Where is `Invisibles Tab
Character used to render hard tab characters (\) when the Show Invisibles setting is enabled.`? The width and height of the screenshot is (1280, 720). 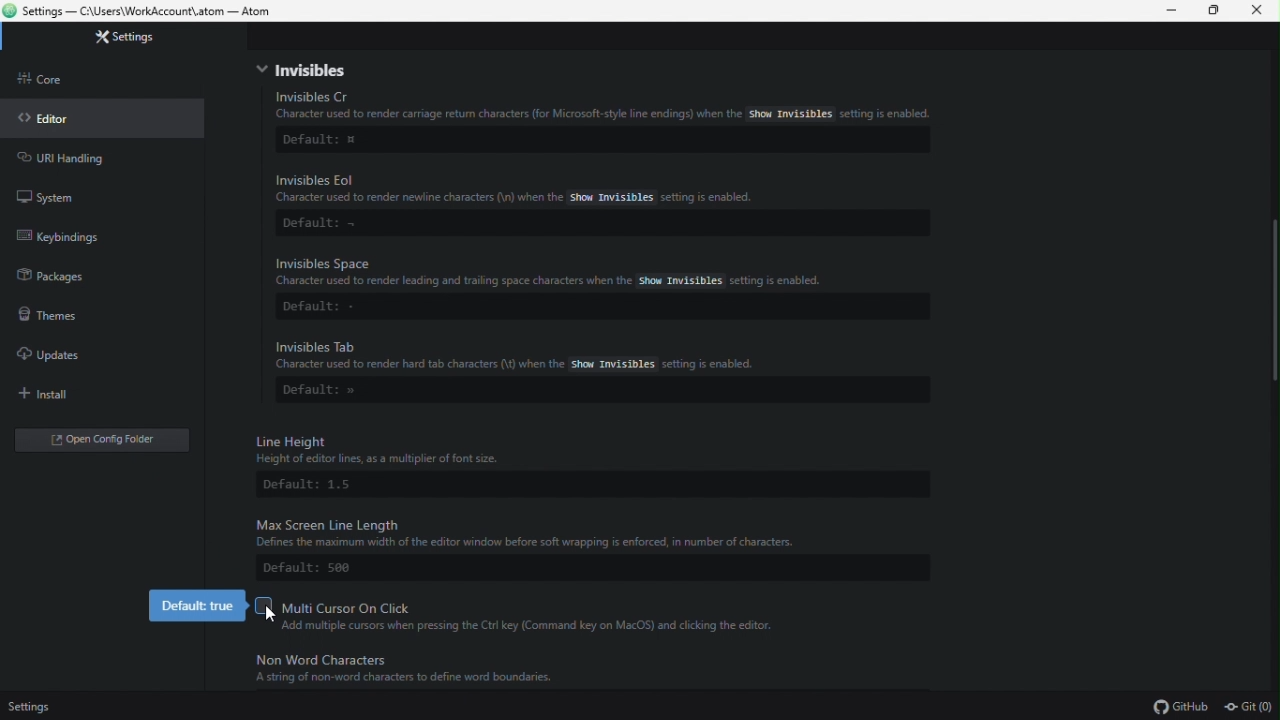 Invisibles Tab
Character used to render hard tab characters (\) when the Show Invisibles setting is enabled. is located at coordinates (512, 355).